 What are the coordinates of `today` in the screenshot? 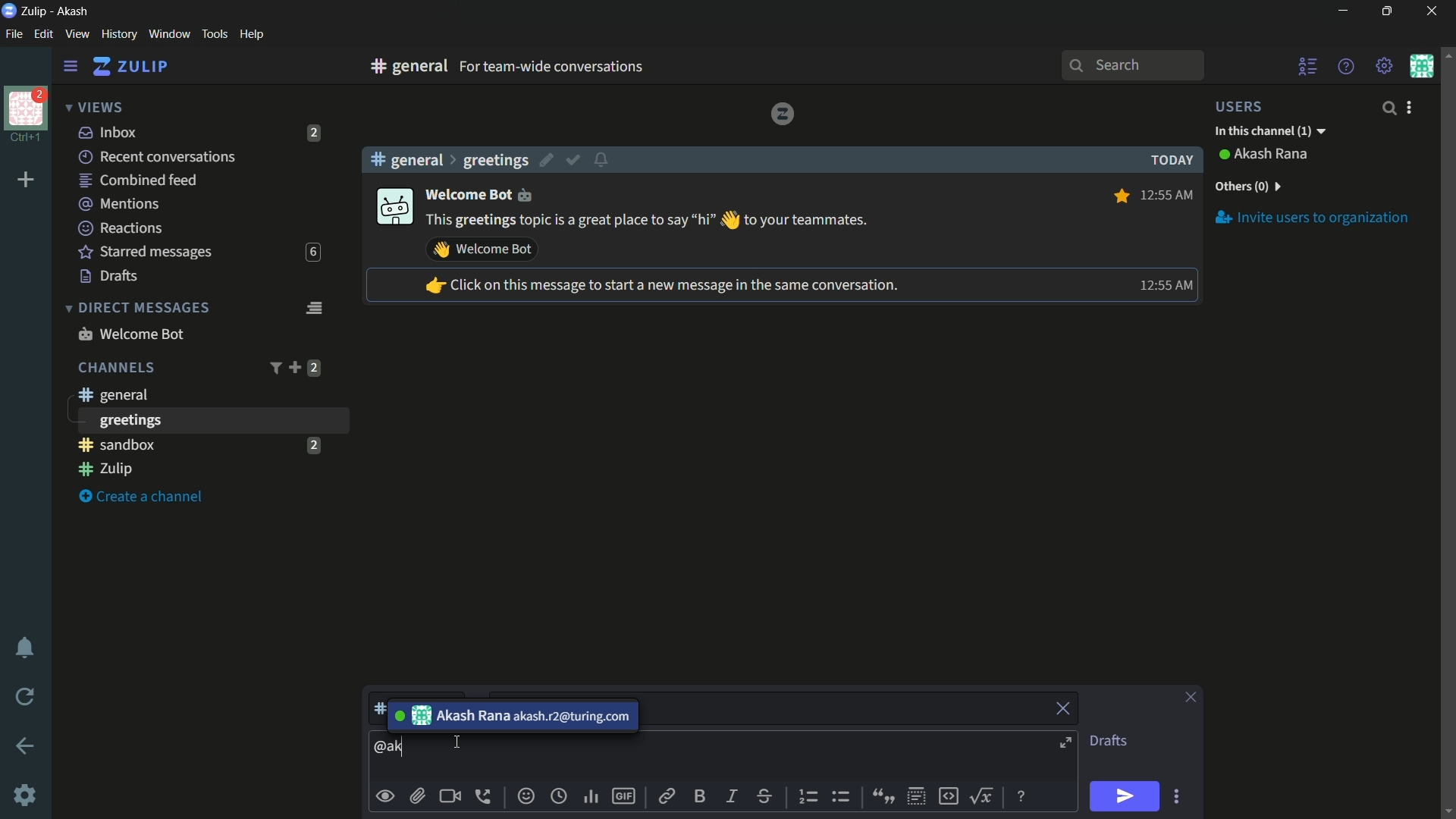 It's located at (1168, 160).